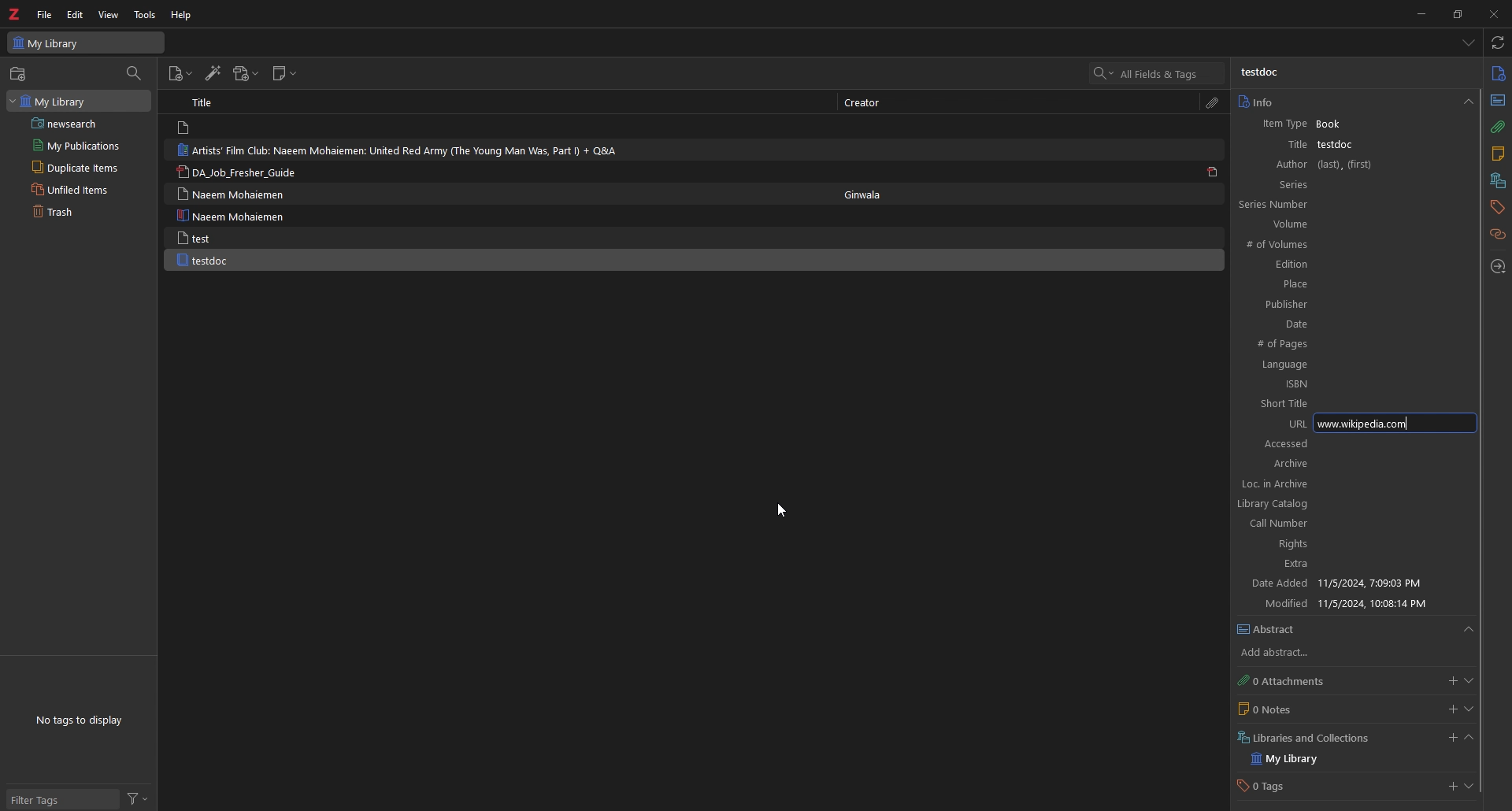  Describe the element at coordinates (1354, 604) in the screenshot. I see `Modified 11/5/2024 10:08:14 PM` at that location.